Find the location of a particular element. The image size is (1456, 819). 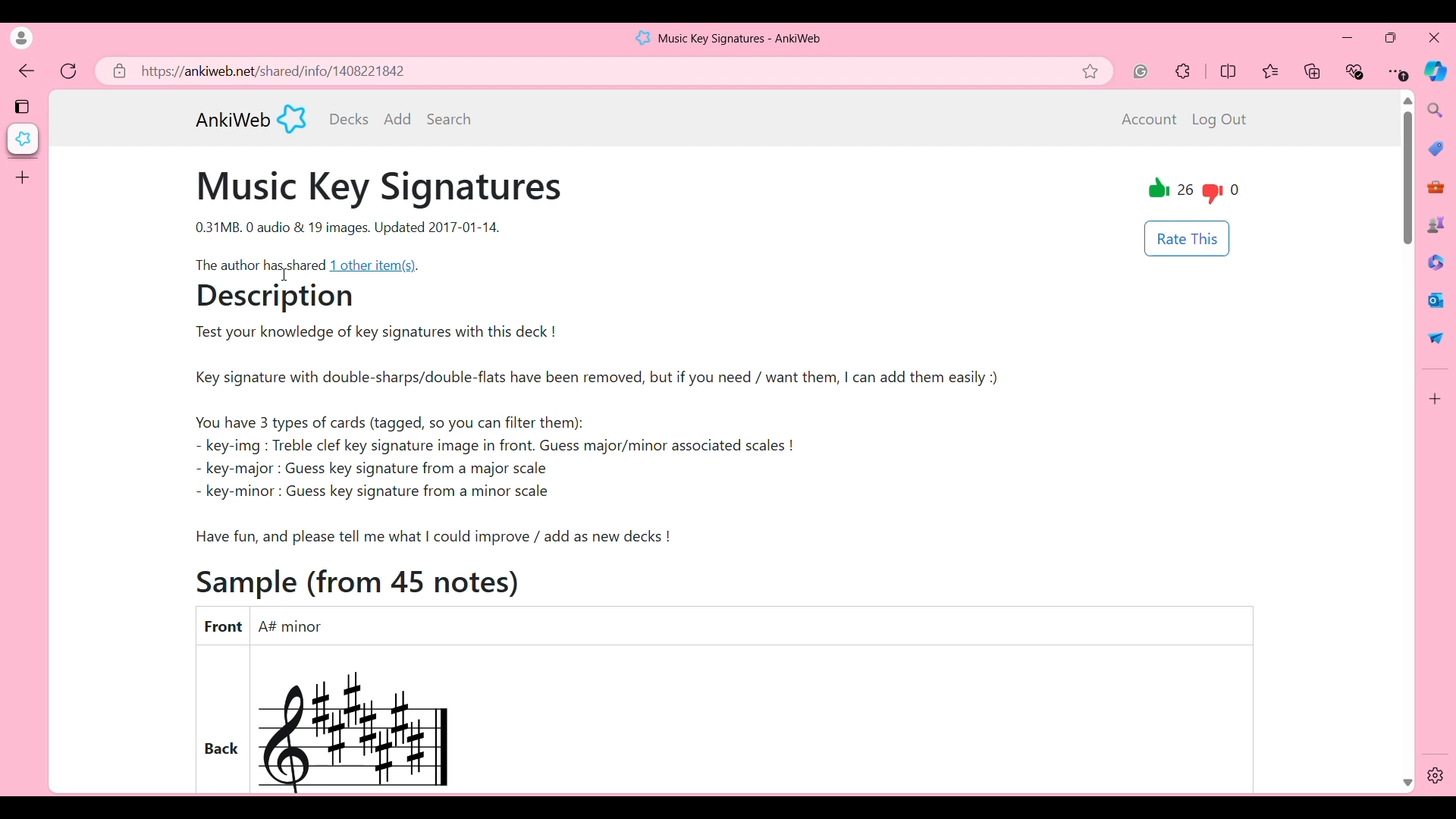

Quick share options by browser is located at coordinates (1436, 337).